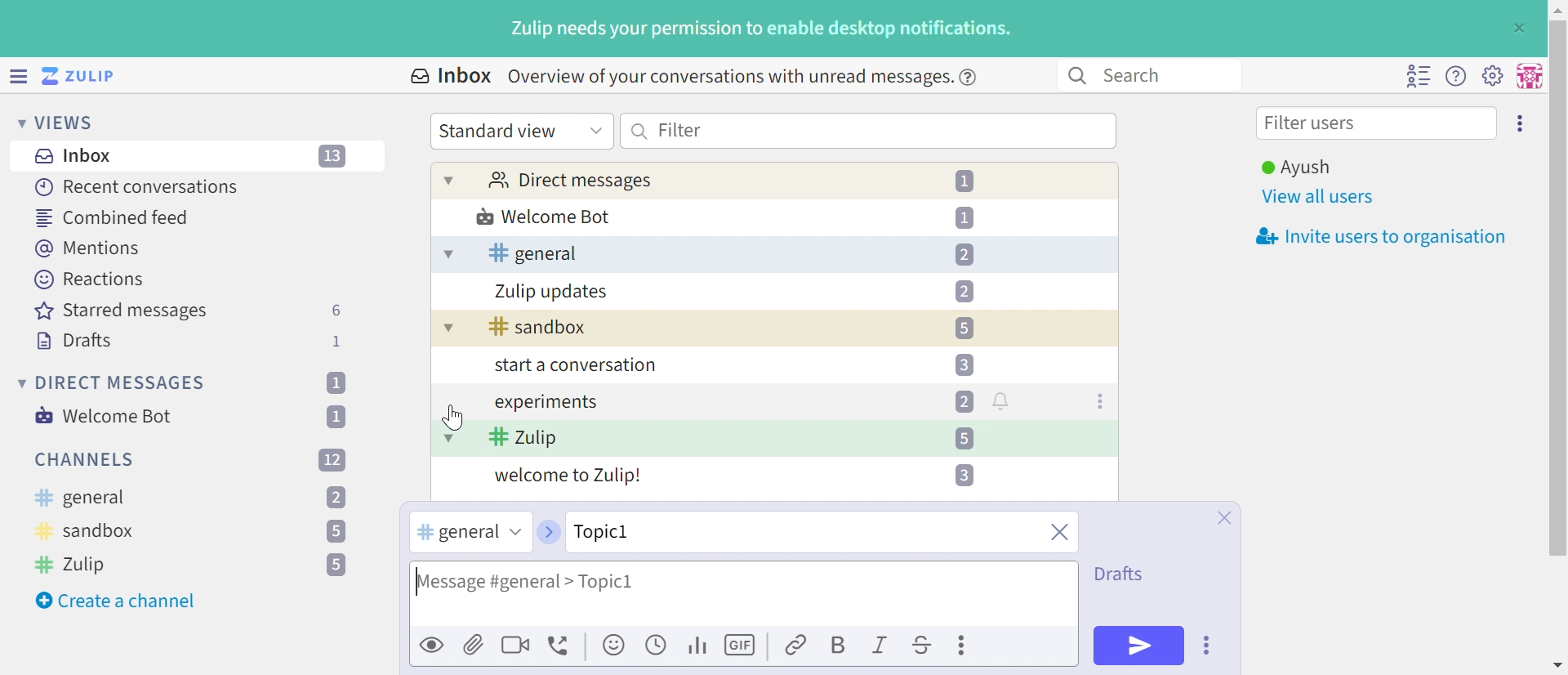 This screenshot has height=675, width=1568. Describe the element at coordinates (964, 217) in the screenshot. I see `1` at that location.